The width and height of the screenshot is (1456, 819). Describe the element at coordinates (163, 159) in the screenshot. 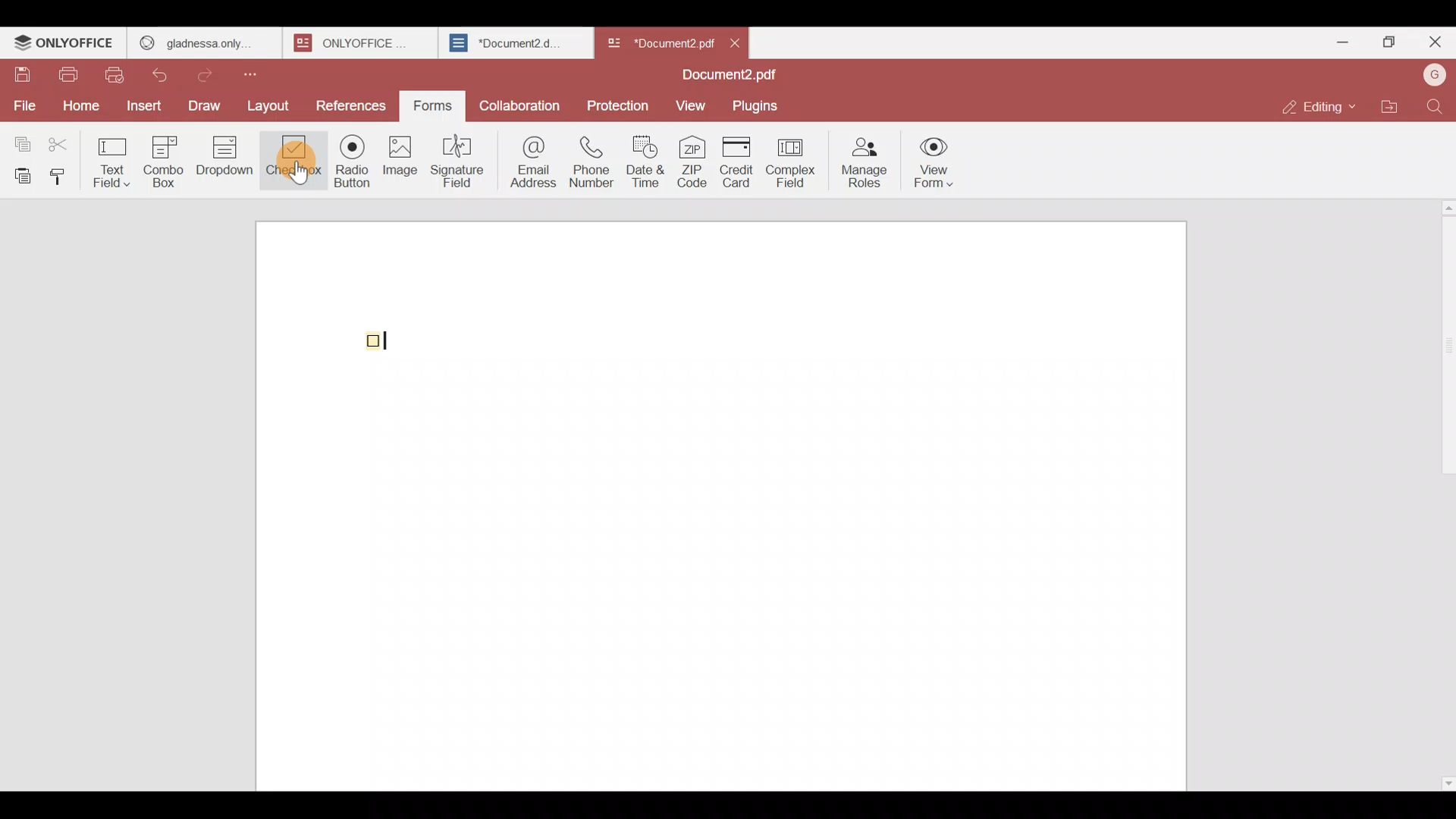

I see `Combo box` at that location.